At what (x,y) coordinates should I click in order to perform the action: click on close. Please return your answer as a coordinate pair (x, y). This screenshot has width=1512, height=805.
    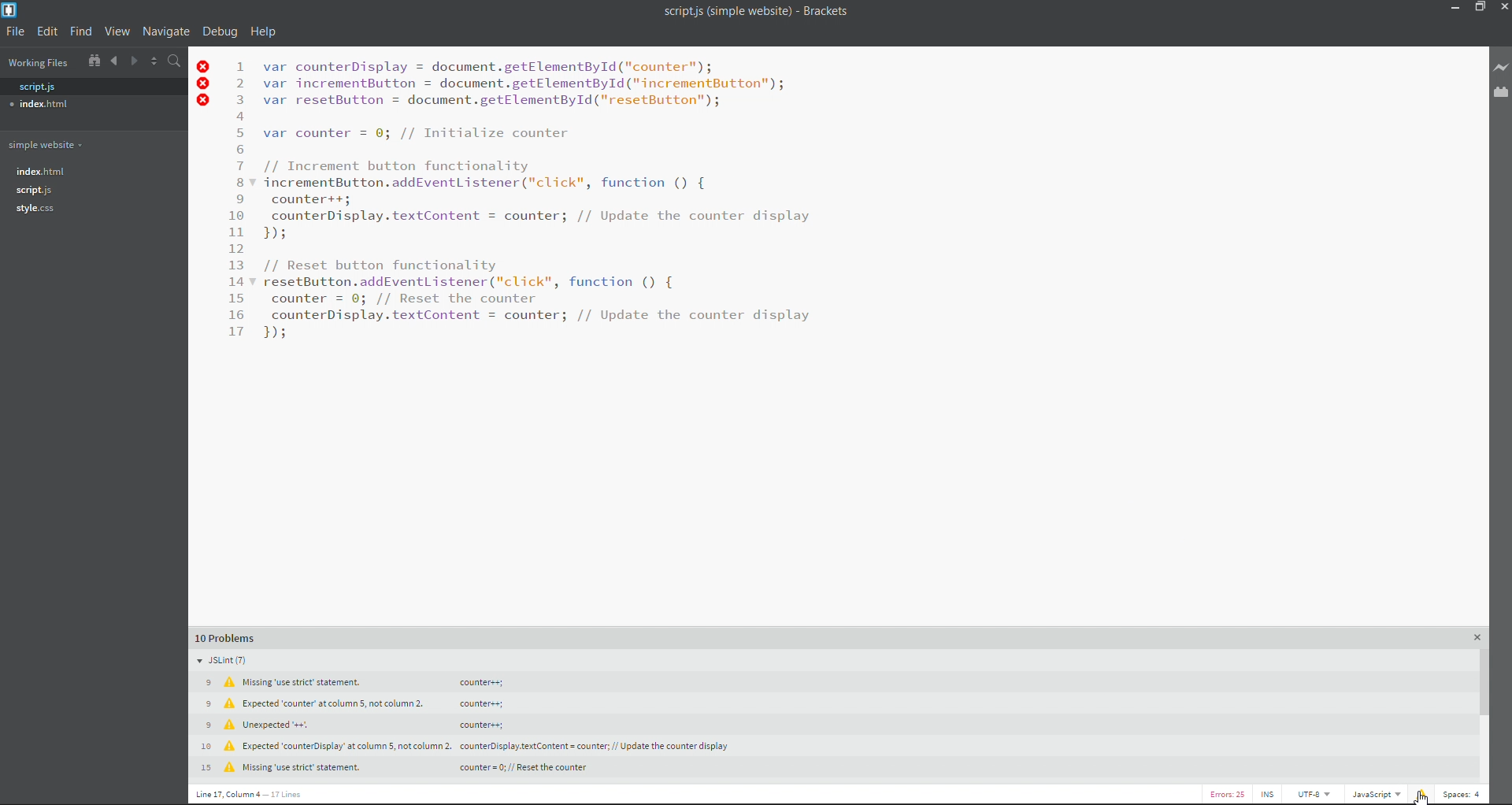
    Looking at the image, I should click on (1502, 7).